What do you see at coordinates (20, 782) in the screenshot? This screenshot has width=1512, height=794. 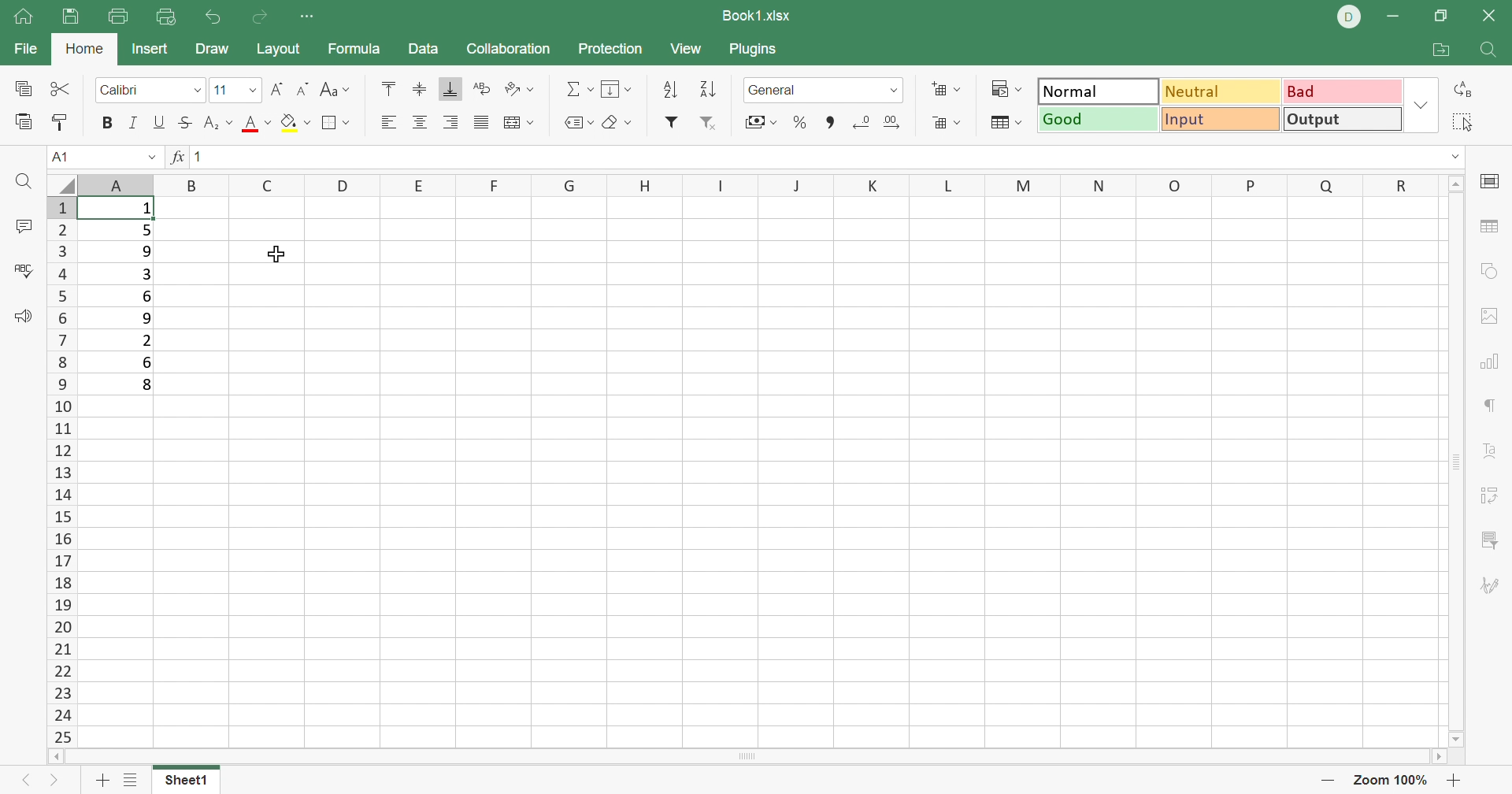 I see `Previous` at bounding box center [20, 782].